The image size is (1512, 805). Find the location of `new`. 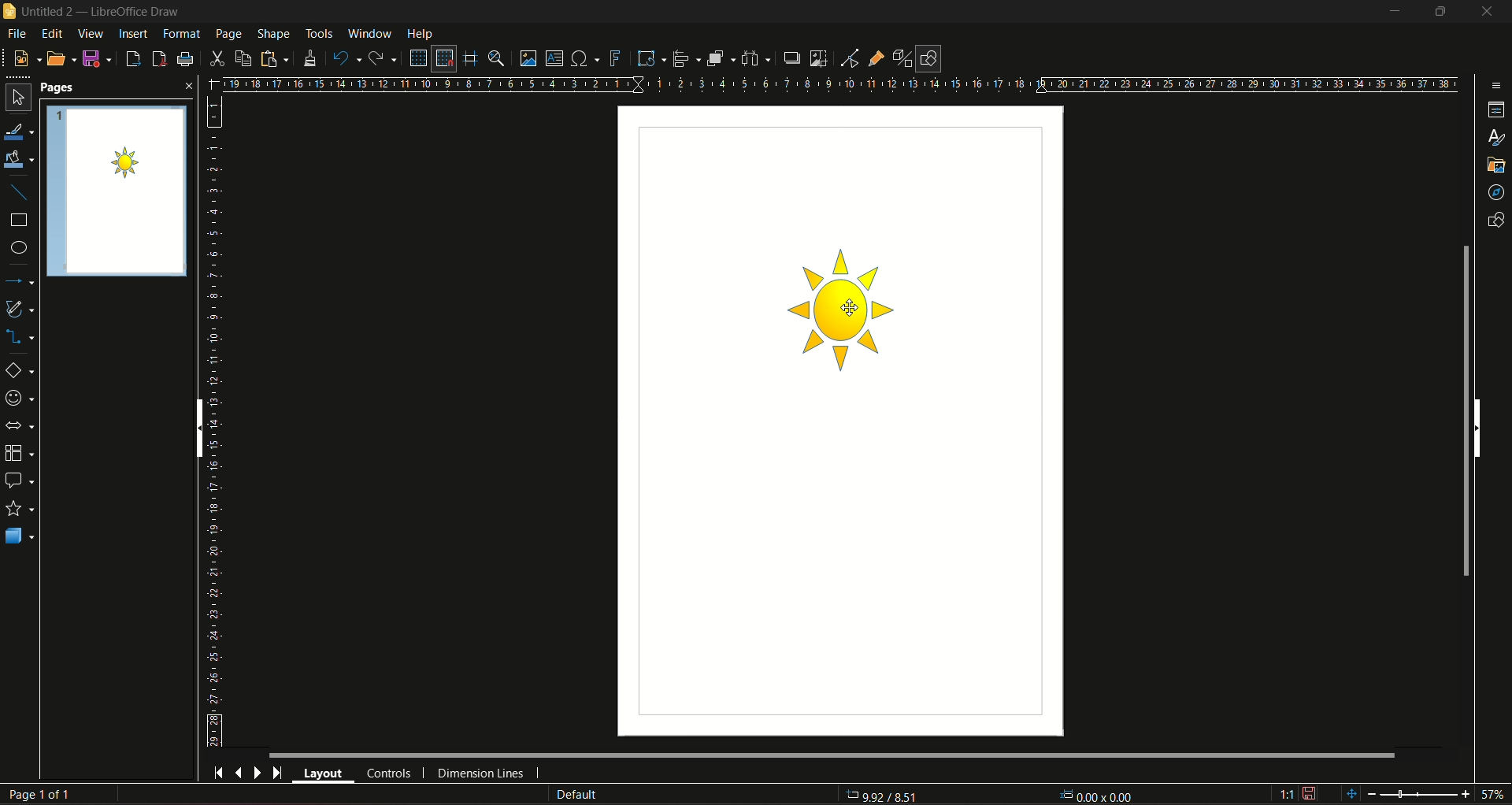

new is located at coordinates (25, 58).